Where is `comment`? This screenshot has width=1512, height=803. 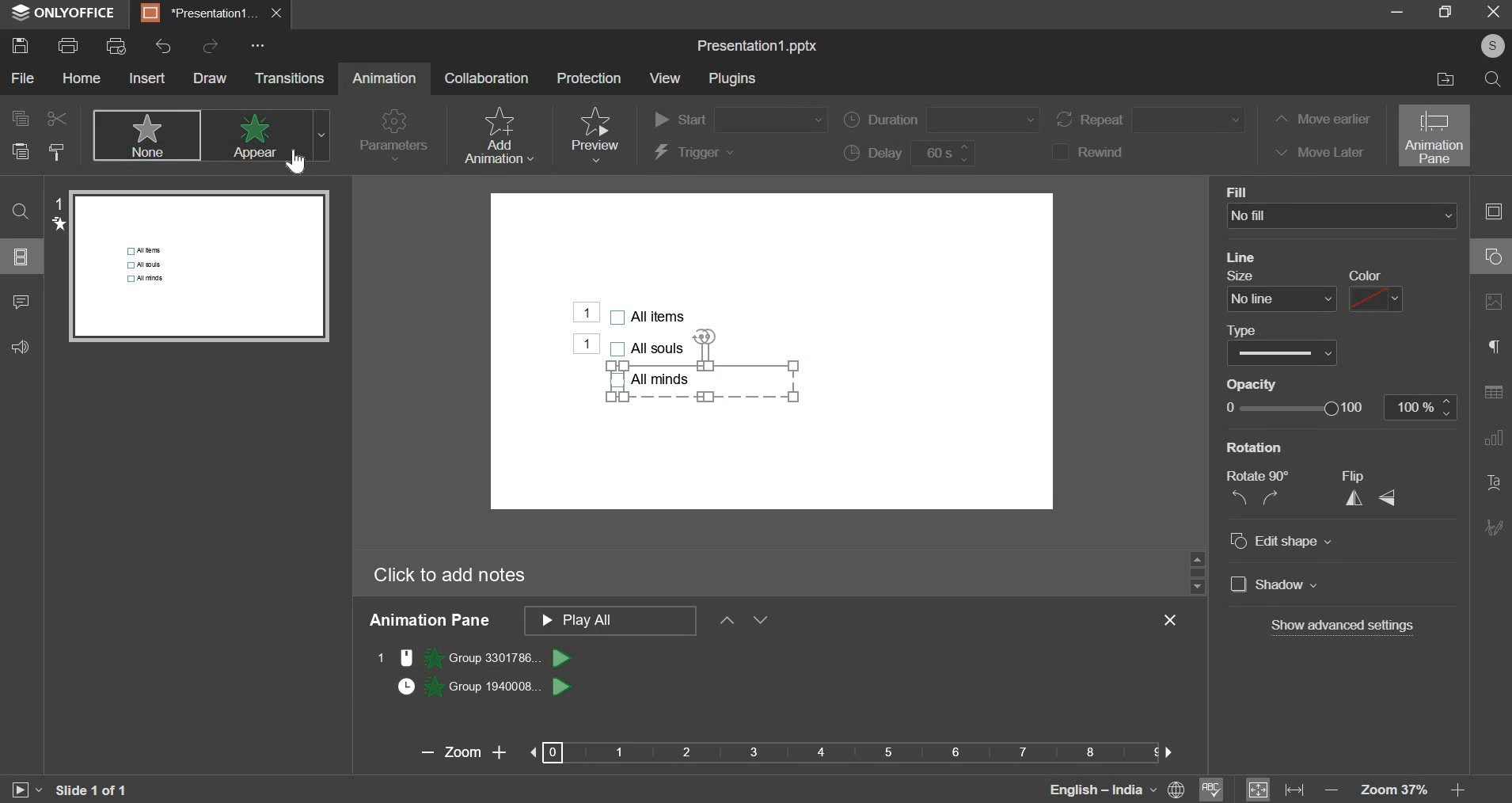
comment is located at coordinates (20, 304).